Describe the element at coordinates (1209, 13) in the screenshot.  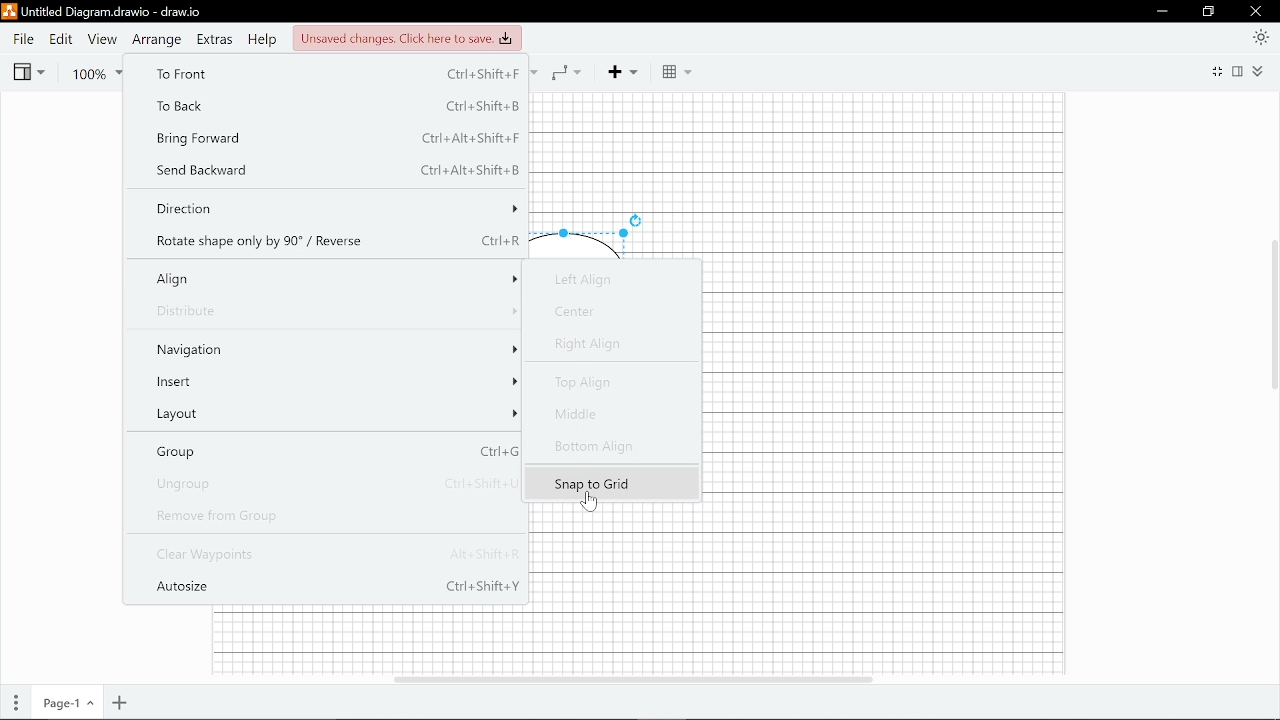
I see `Restore down` at that location.